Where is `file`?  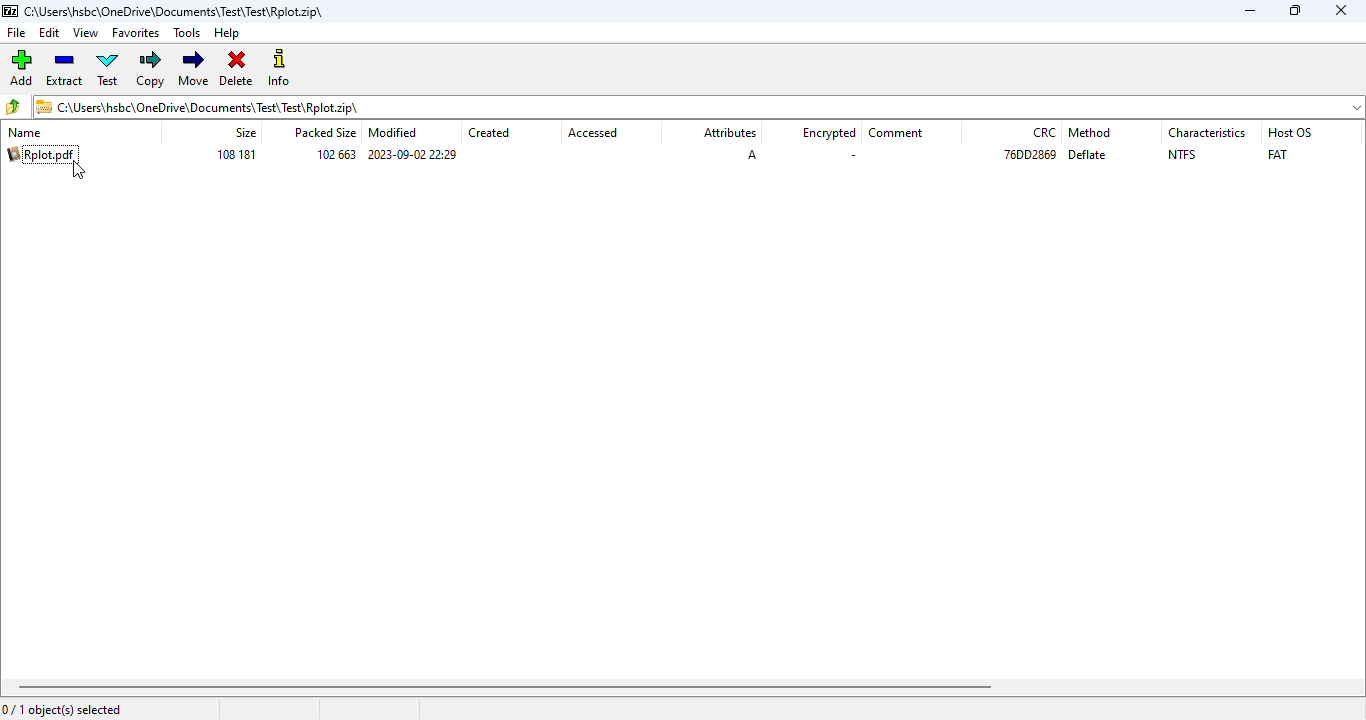
file is located at coordinates (16, 33).